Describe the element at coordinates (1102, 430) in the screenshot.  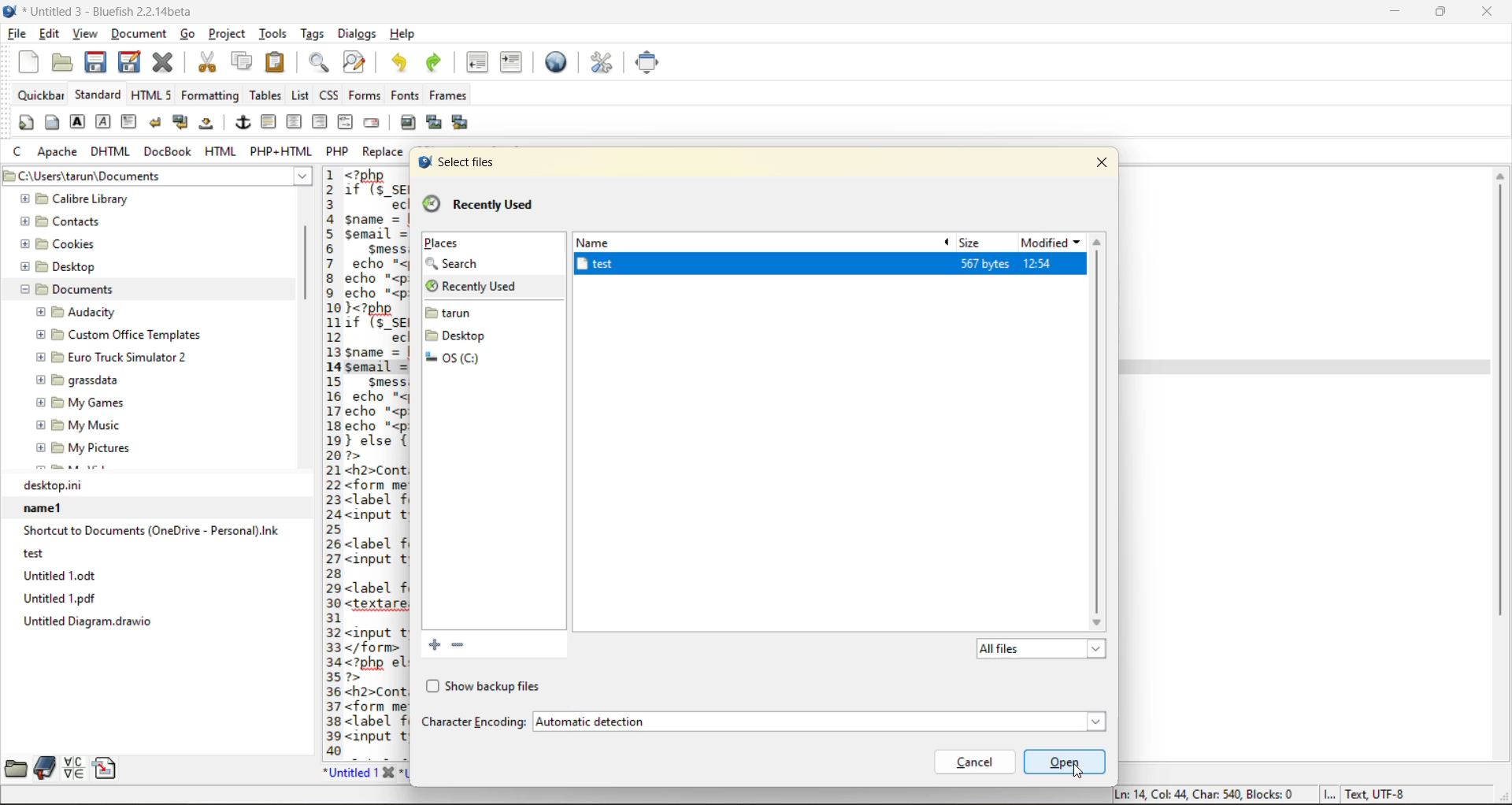
I see `vertical scrollbar` at that location.